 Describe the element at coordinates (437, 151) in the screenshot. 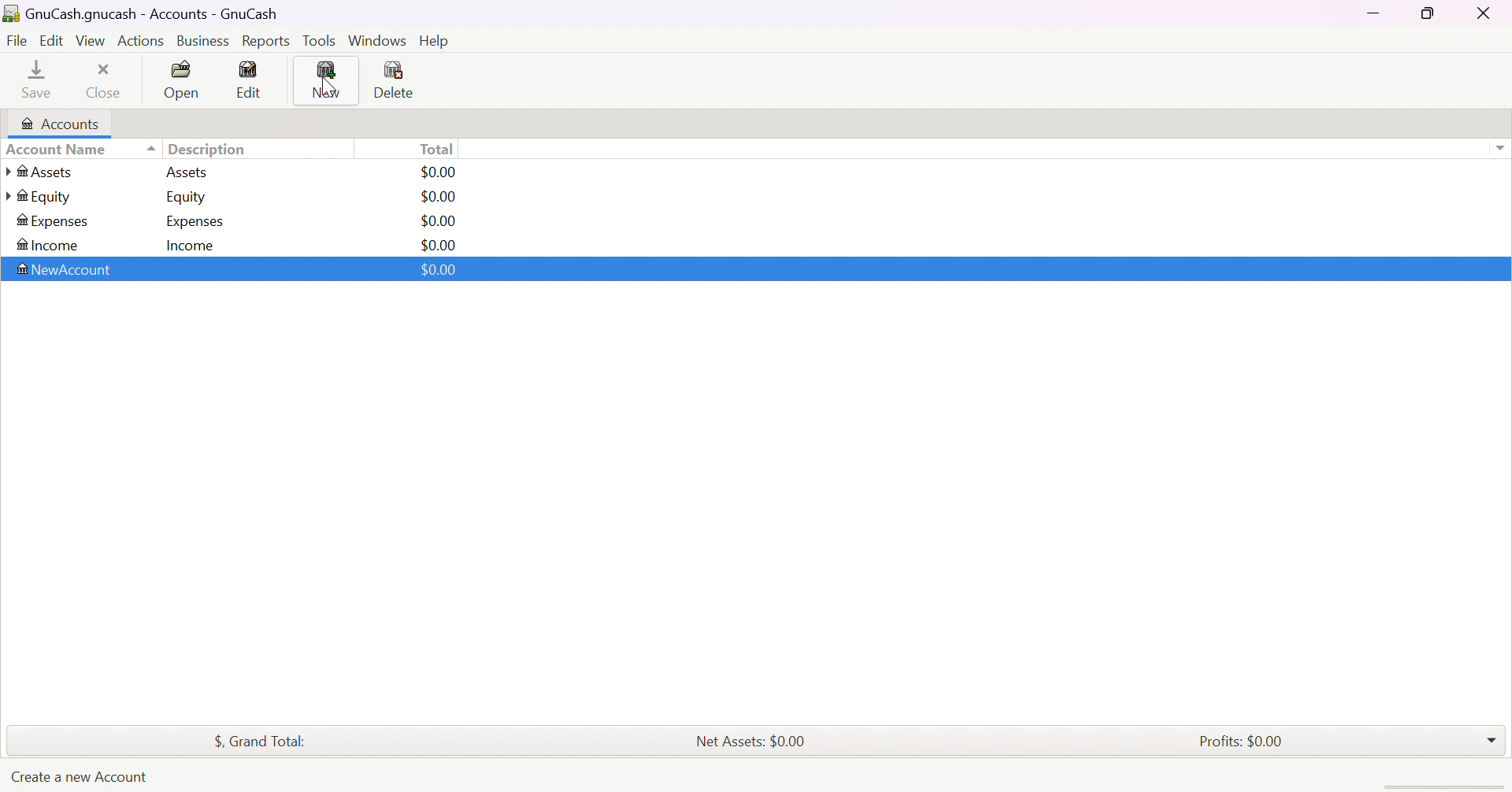

I see `Total` at that location.